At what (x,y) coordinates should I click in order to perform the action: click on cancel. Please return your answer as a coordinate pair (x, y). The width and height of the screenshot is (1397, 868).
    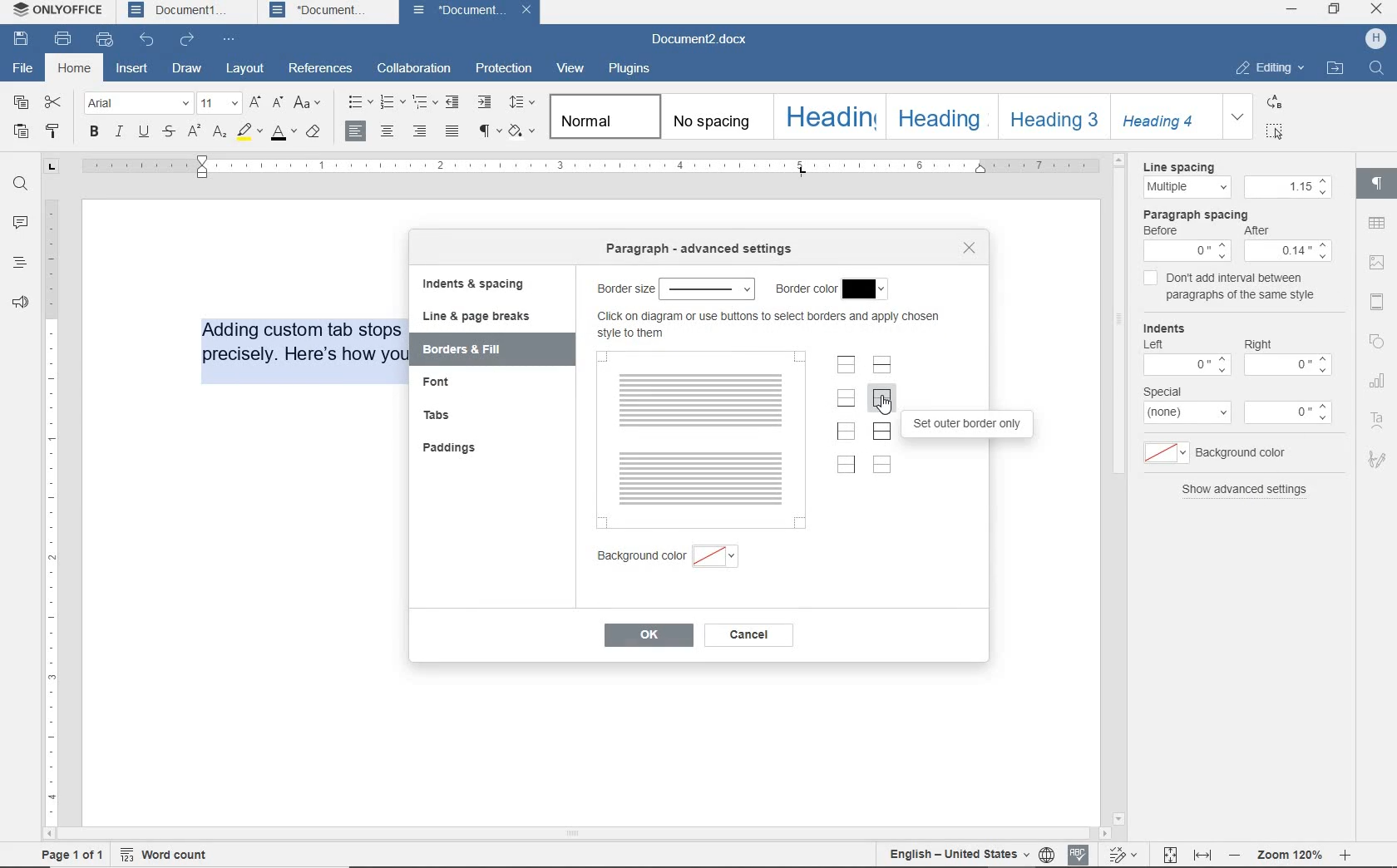
    Looking at the image, I should click on (752, 635).